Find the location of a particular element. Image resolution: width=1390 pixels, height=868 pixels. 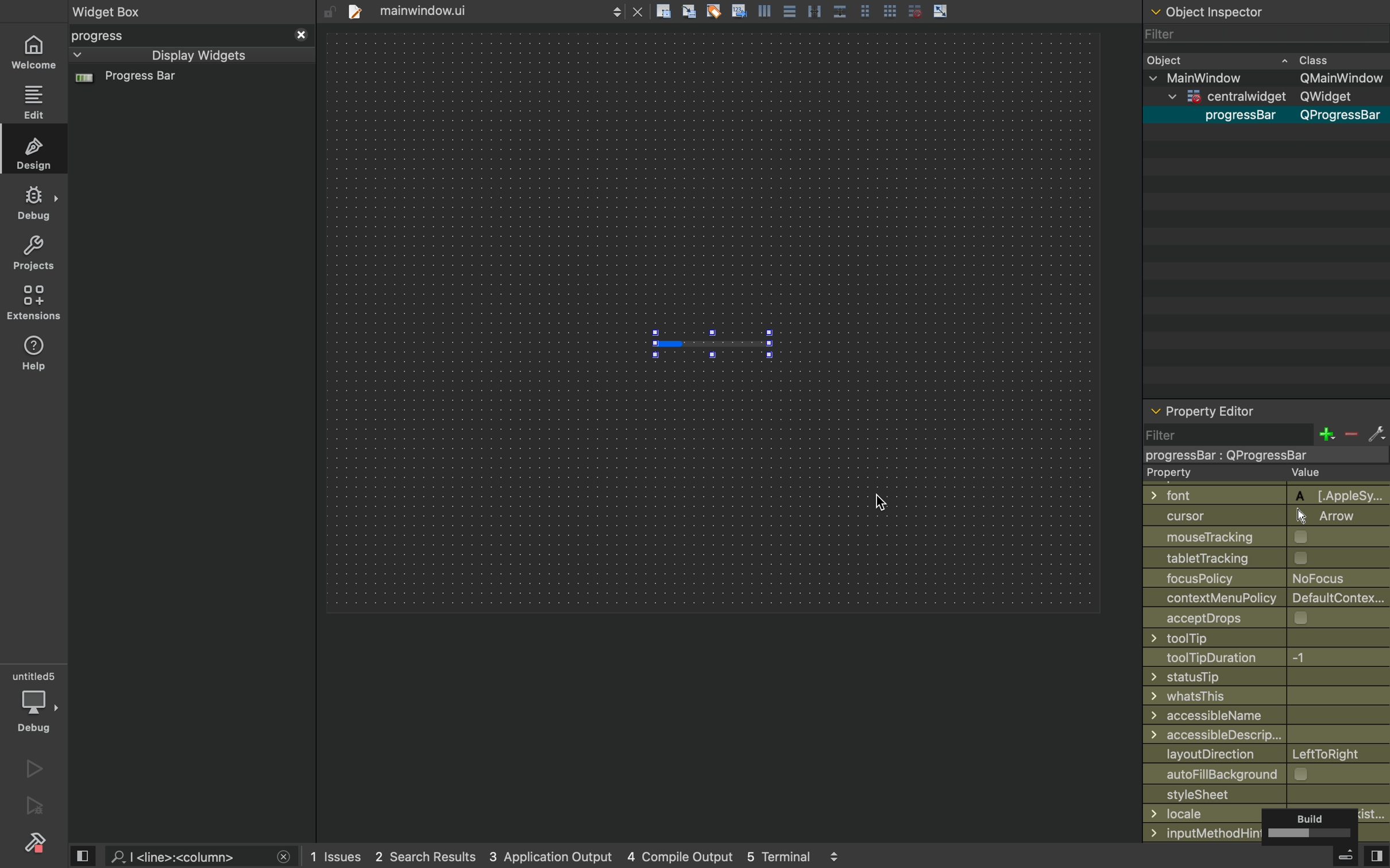

QProgressBar is located at coordinates (1342, 116).